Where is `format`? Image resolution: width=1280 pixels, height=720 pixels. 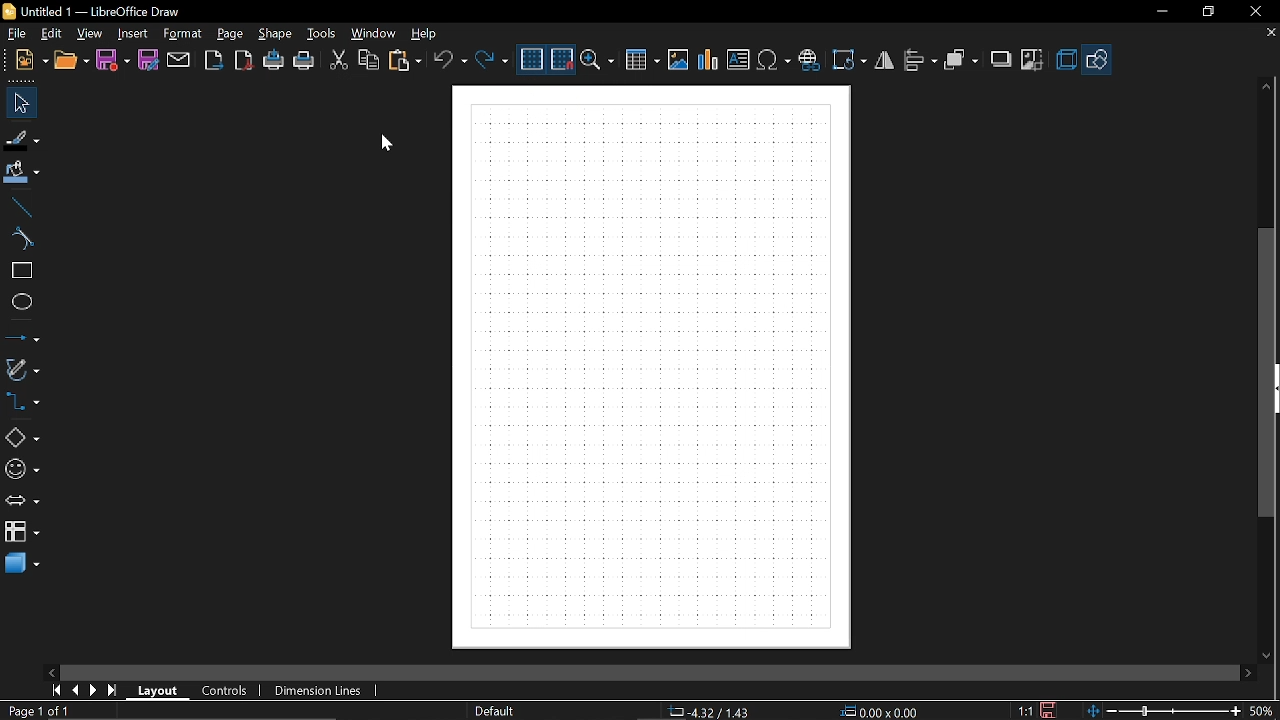 format is located at coordinates (182, 34).